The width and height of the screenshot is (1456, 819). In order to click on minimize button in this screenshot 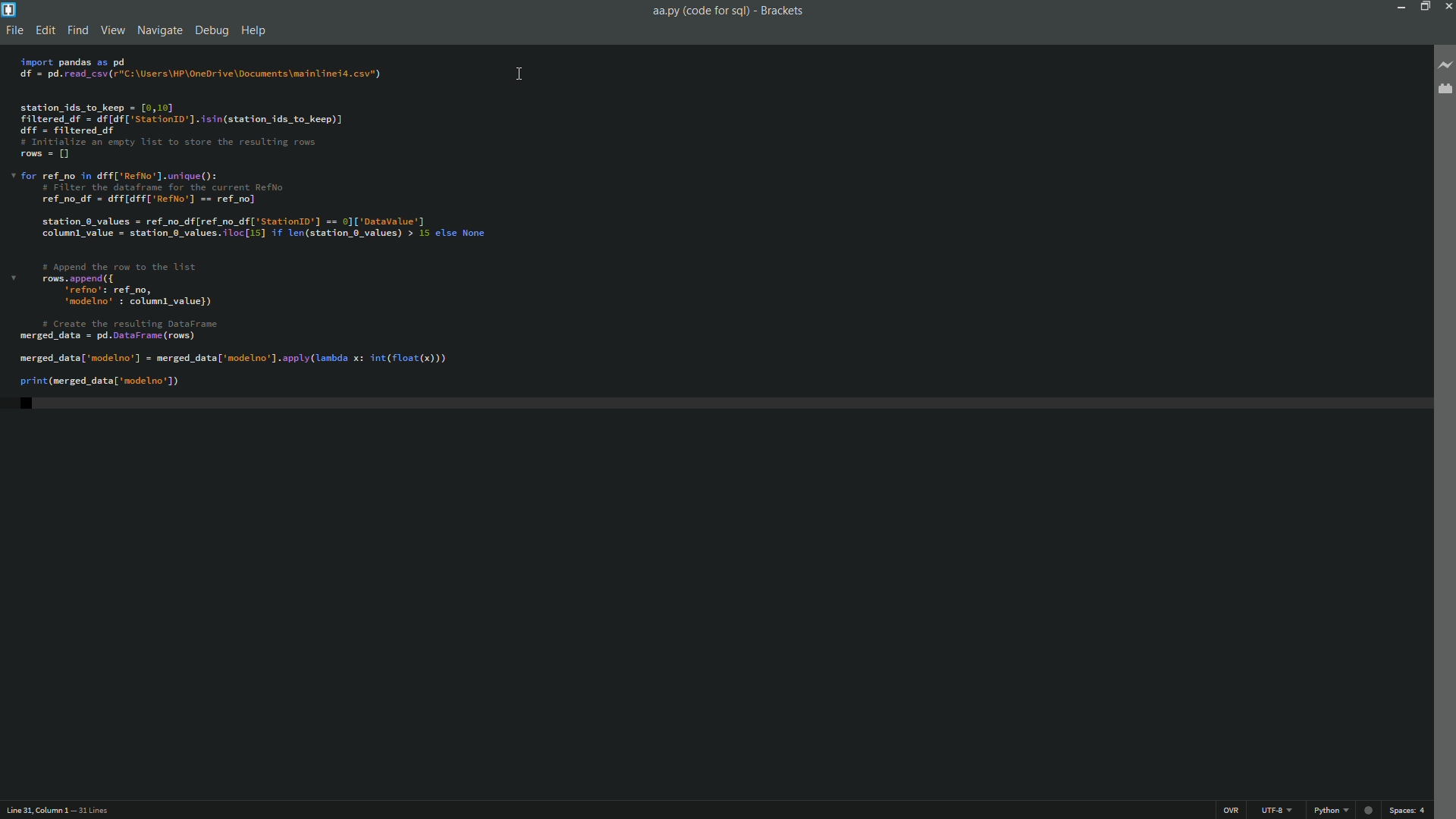, I will do `click(1396, 7)`.